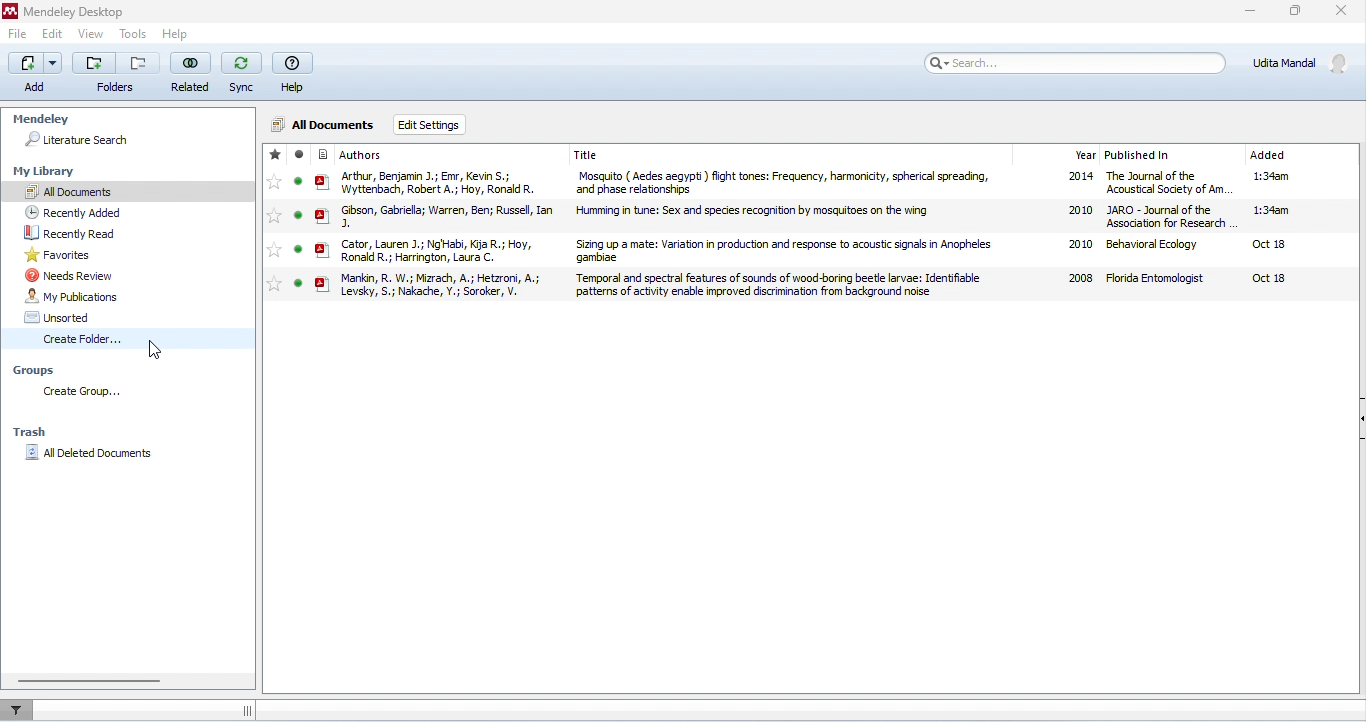 This screenshot has height=722, width=1366. What do you see at coordinates (18, 33) in the screenshot?
I see `file` at bounding box center [18, 33].